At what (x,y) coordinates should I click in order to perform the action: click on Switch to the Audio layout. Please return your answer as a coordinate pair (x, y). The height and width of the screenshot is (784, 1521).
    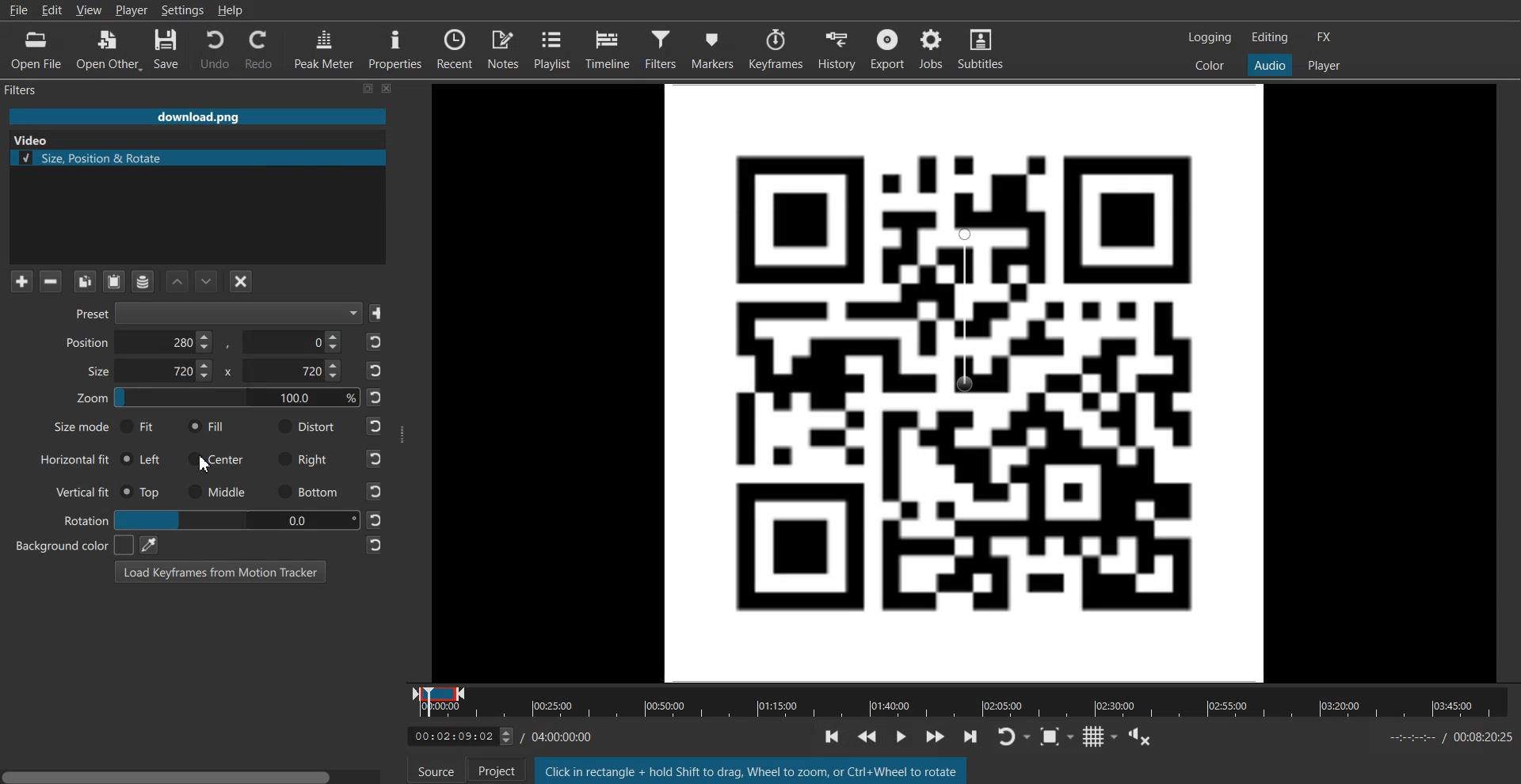
    Looking at the image, I should click on (1269, 65).